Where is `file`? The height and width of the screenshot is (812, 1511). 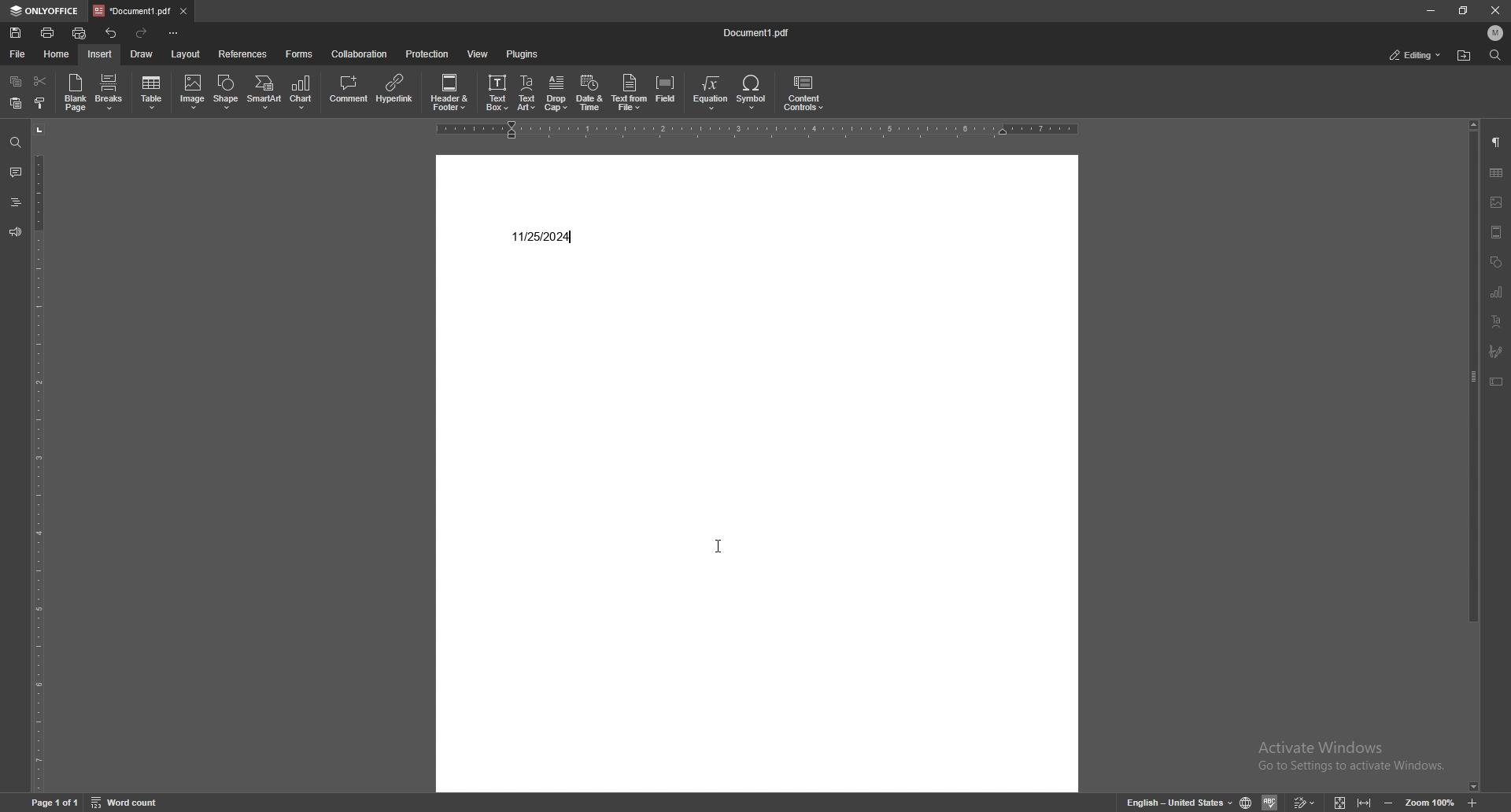 file is located at coordinates (16, 54).